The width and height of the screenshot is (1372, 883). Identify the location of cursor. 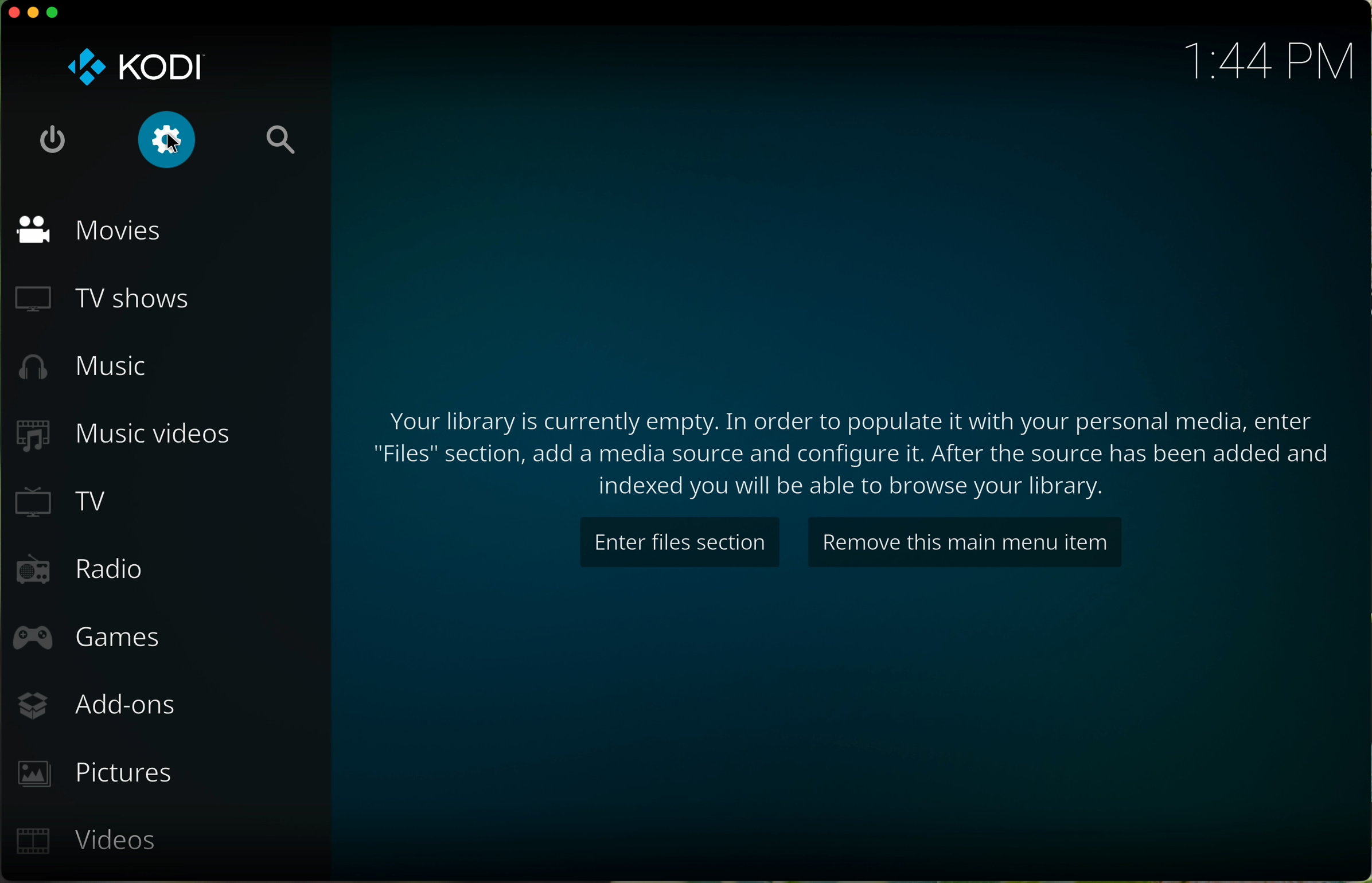
(176, 146).